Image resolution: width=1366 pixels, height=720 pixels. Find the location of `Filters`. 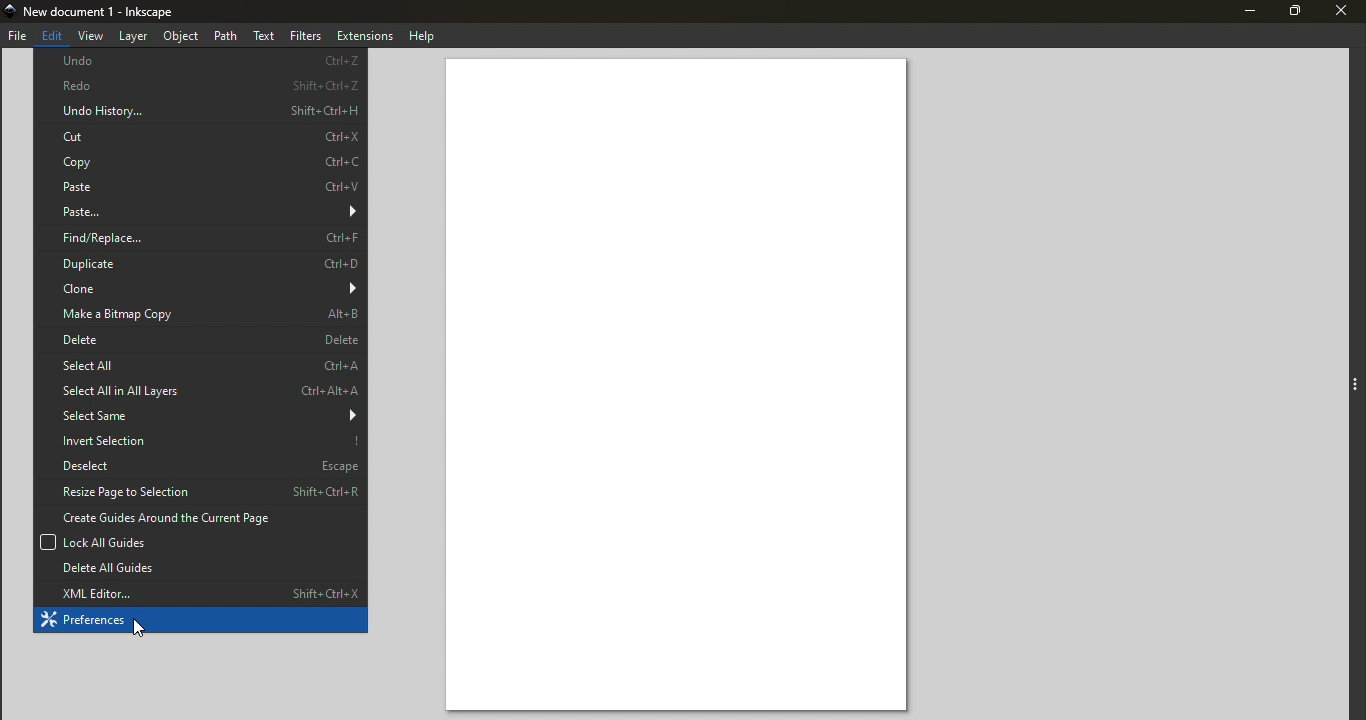

Filters is located at coordinates (305, 34).